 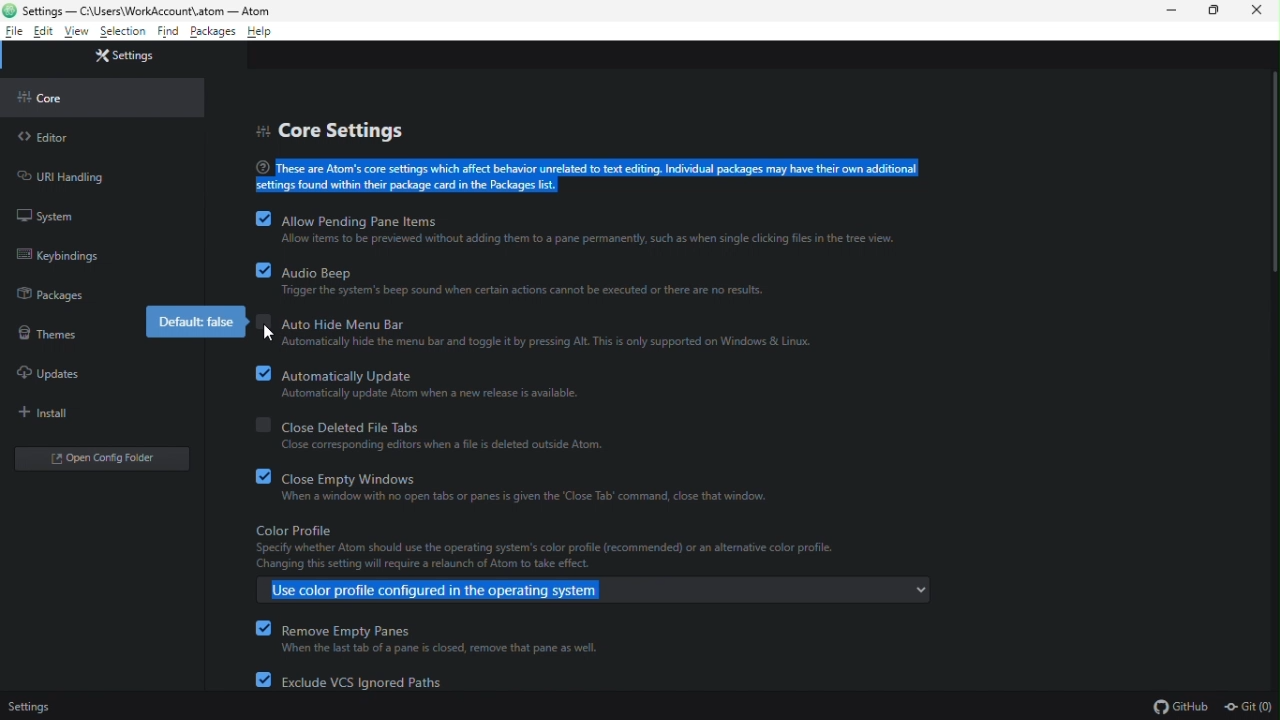 I want to click on checkbox, so click(x=253, y=429).